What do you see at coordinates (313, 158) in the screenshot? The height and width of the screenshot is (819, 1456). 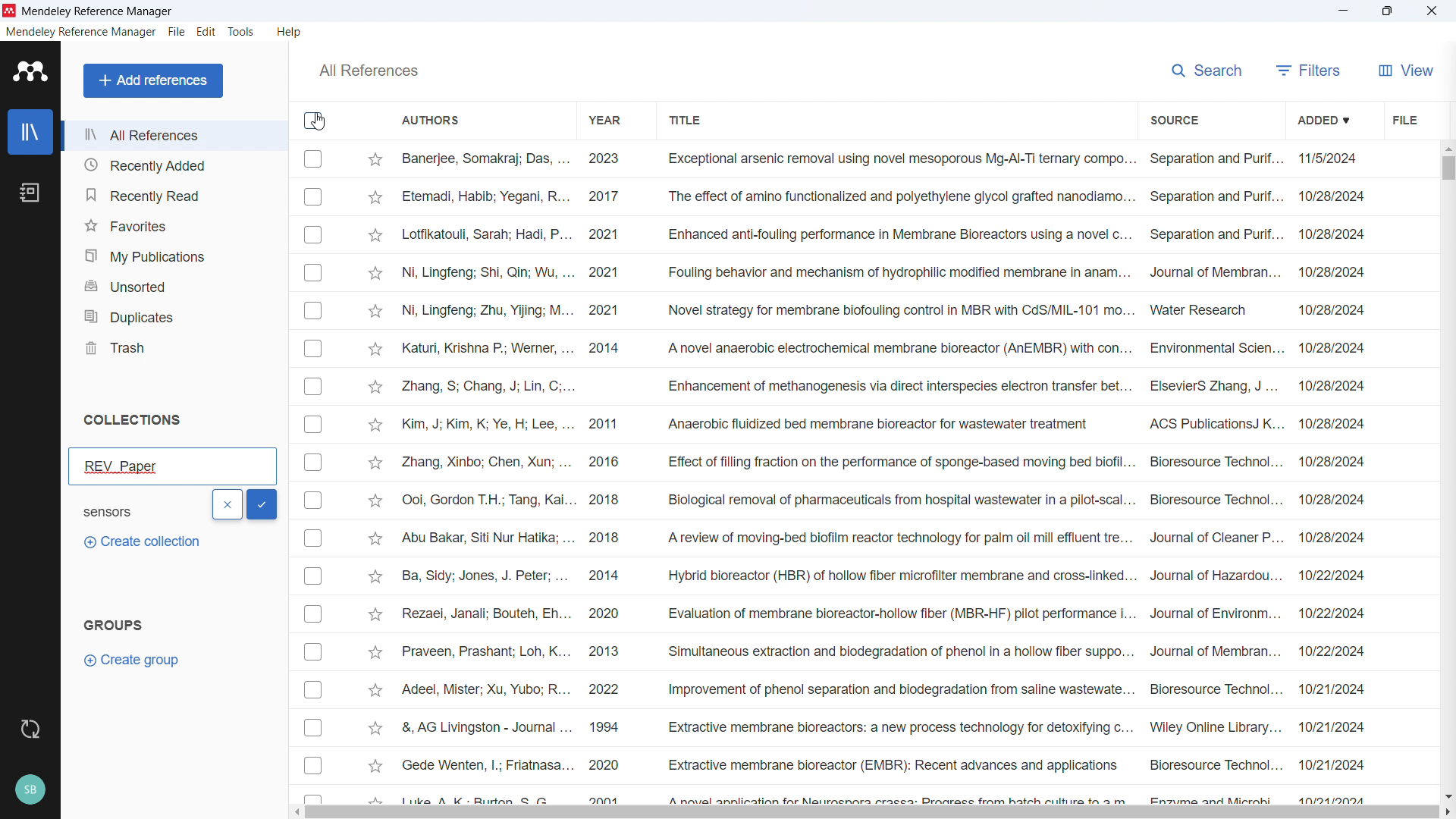 I see `Select respective publication` at bounding box center [313, 158].